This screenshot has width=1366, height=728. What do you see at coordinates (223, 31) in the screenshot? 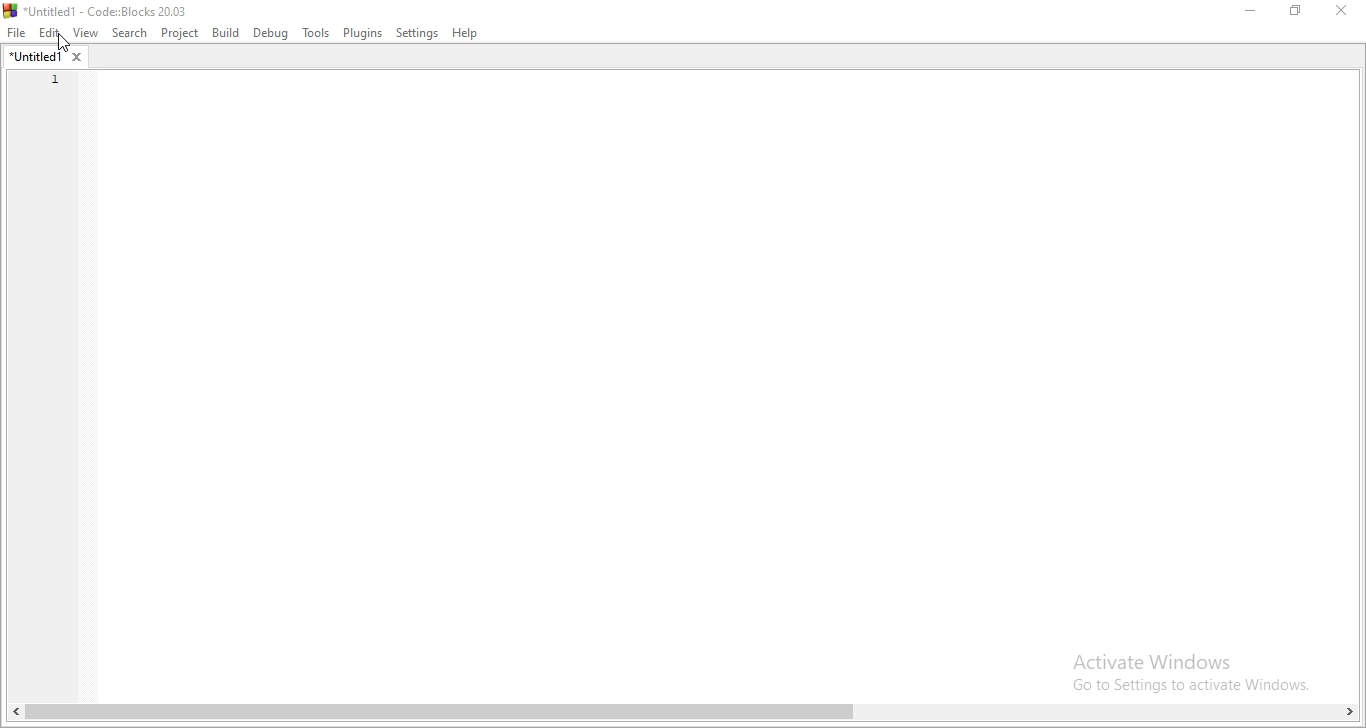
I see `Build ` at bounding box center [223, 31].